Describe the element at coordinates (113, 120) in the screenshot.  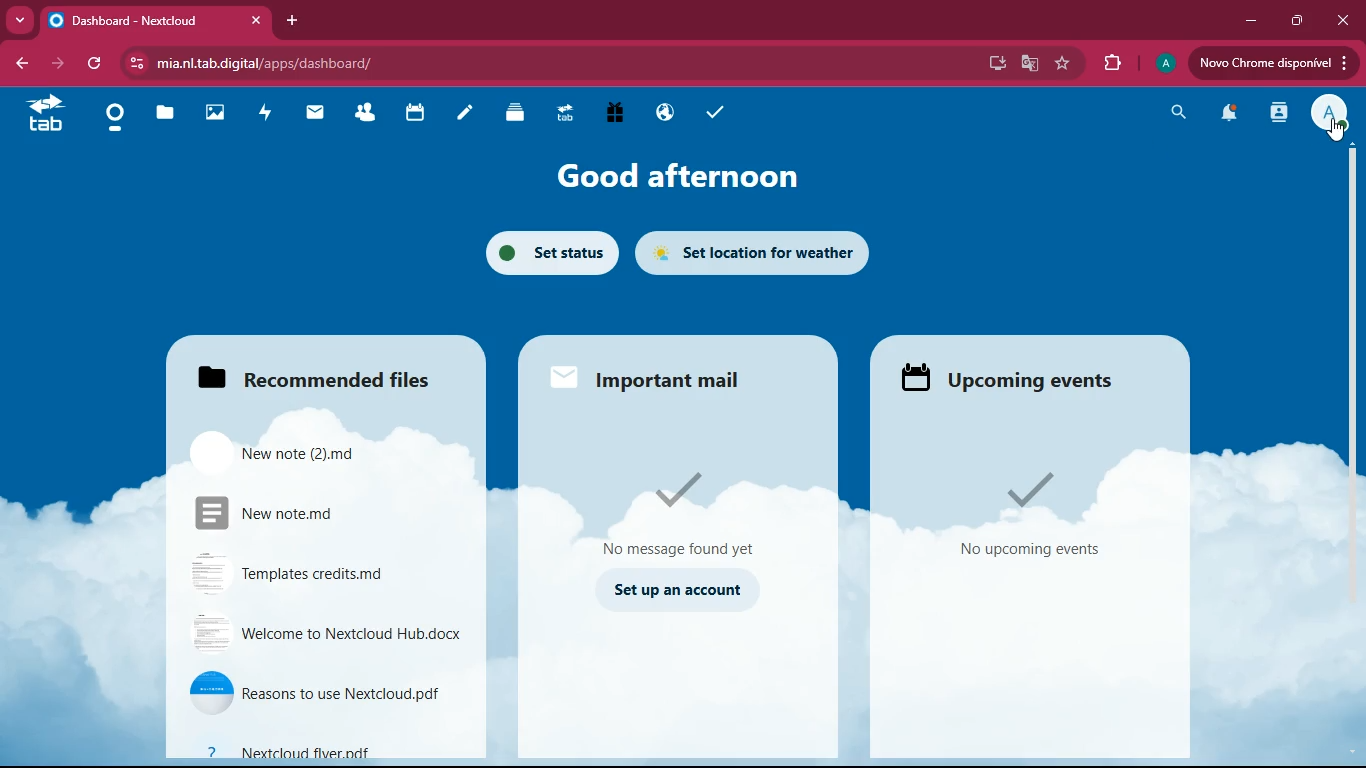
I see `home` at that location.